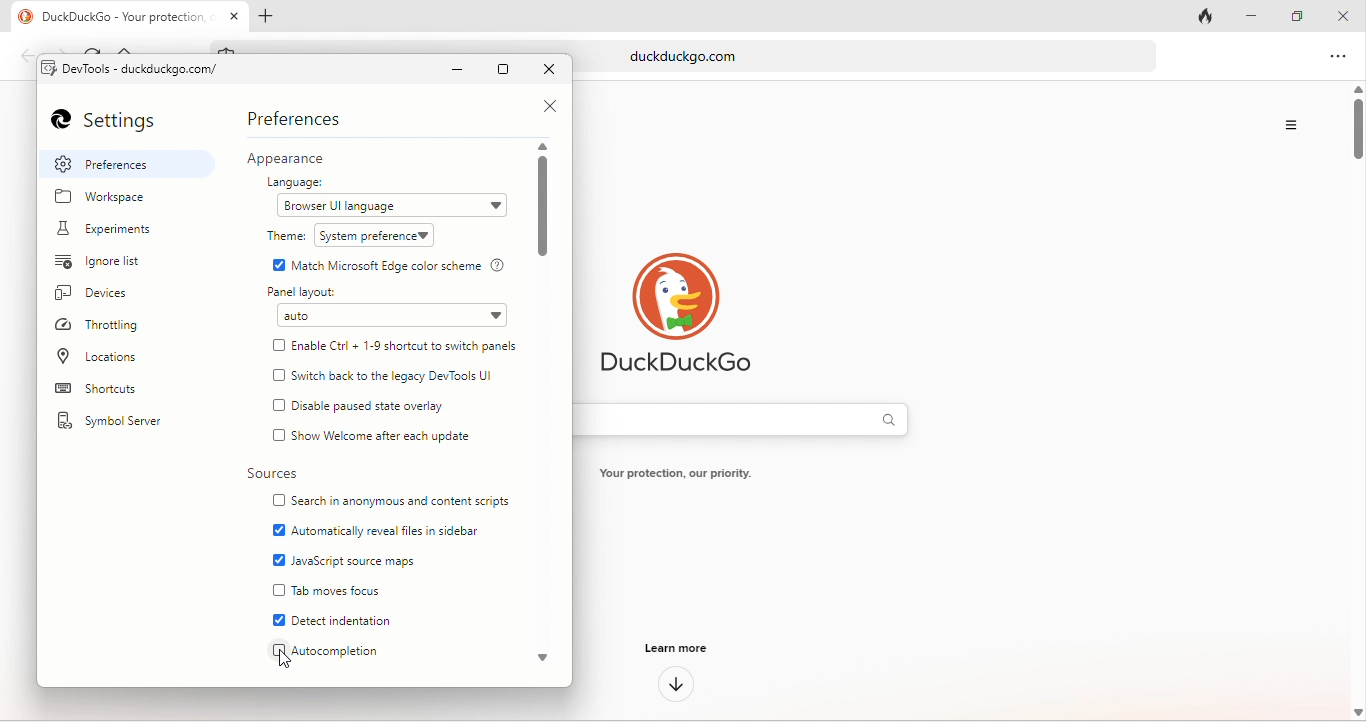  Describe the element at coordinates (410, 344) in the screenshot. I see `enable ctrl+1-9 shortcuts to switch panels` at that location.